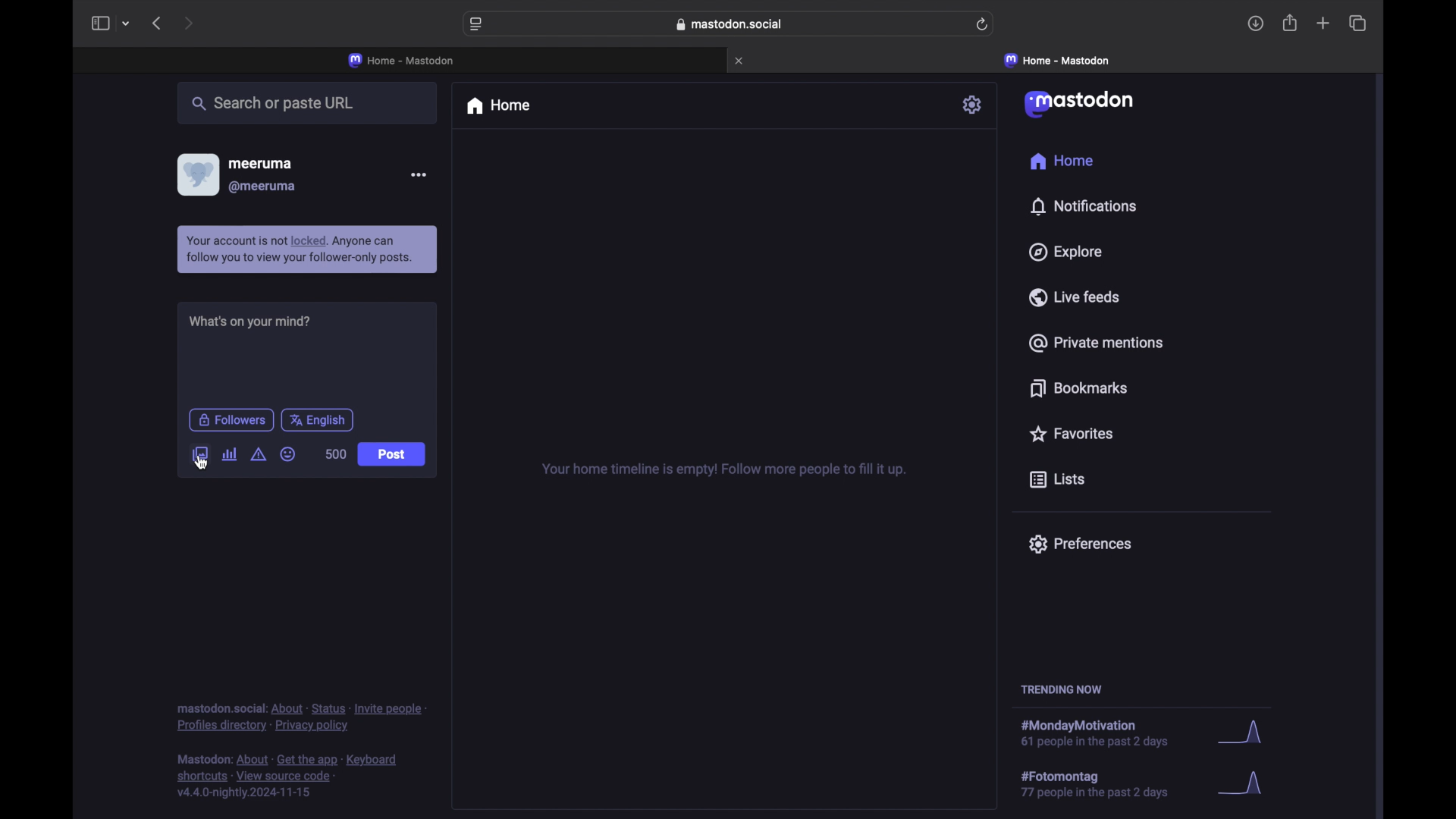  I want to click on bookmarks, so click(1078, 388).